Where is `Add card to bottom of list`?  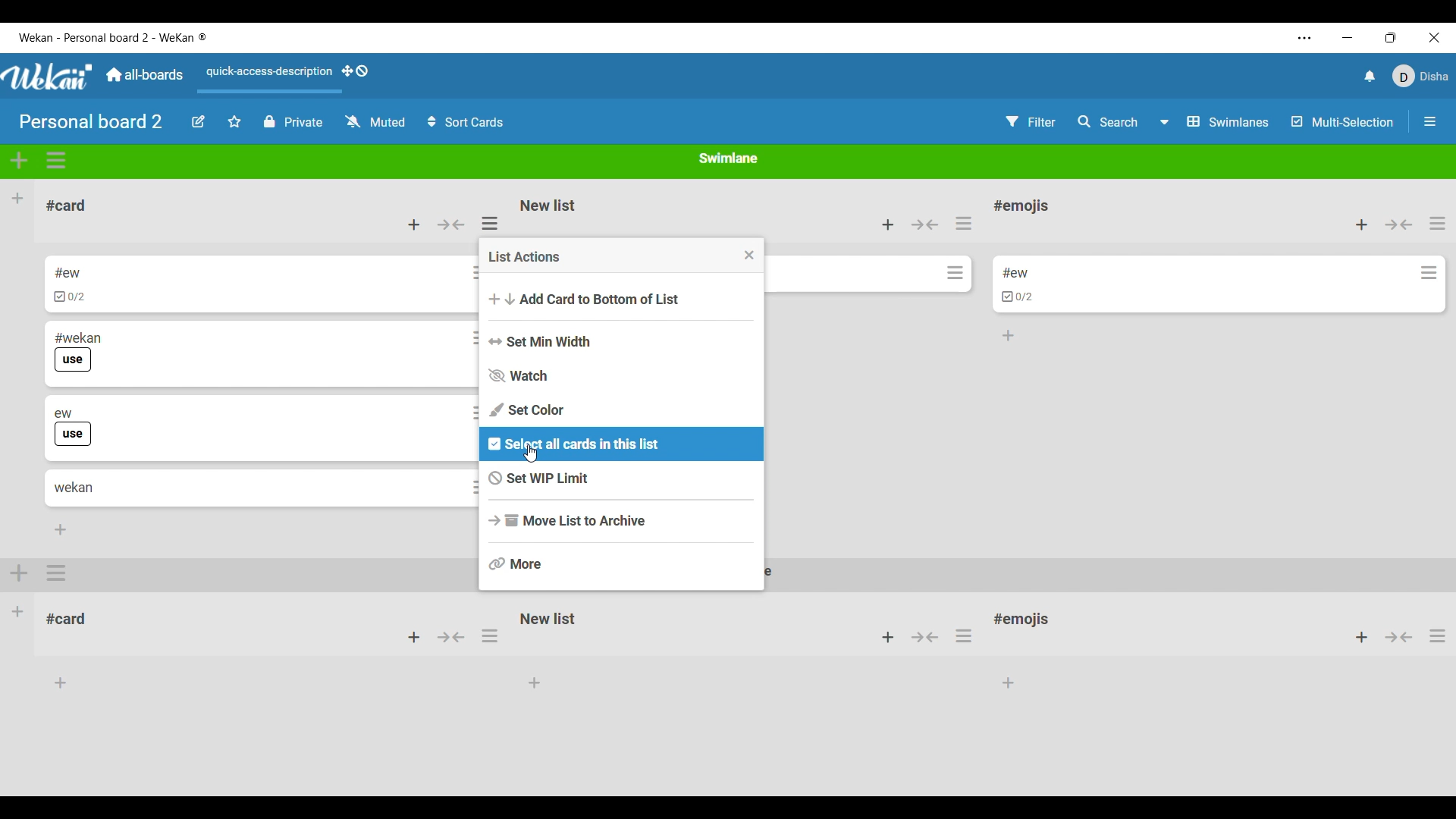 Add card to bottom of list is located at coordinates (624, 299).